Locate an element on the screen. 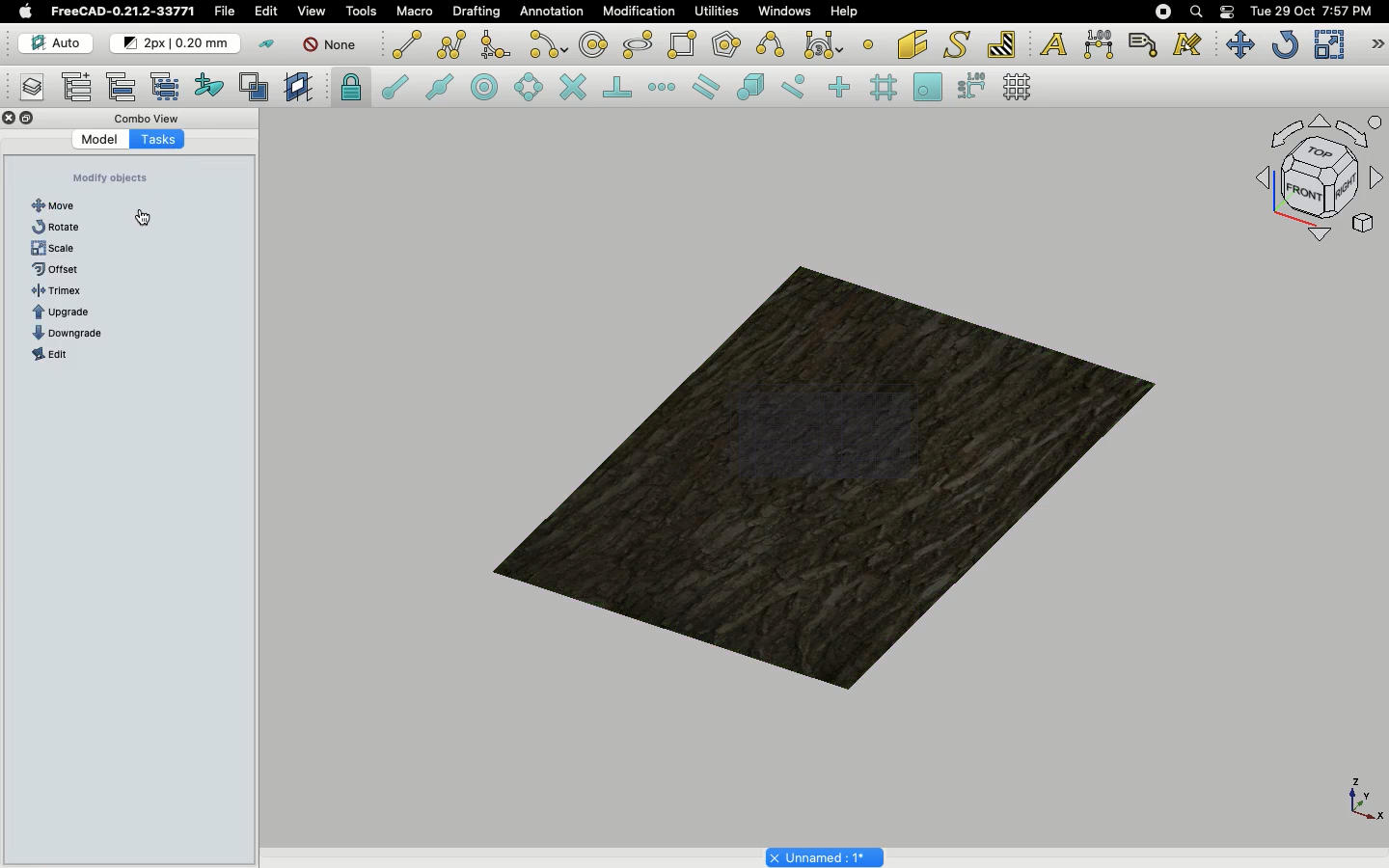 This screenshot has width=1389, height=868. Object selected is located at coordinates (829, 469).